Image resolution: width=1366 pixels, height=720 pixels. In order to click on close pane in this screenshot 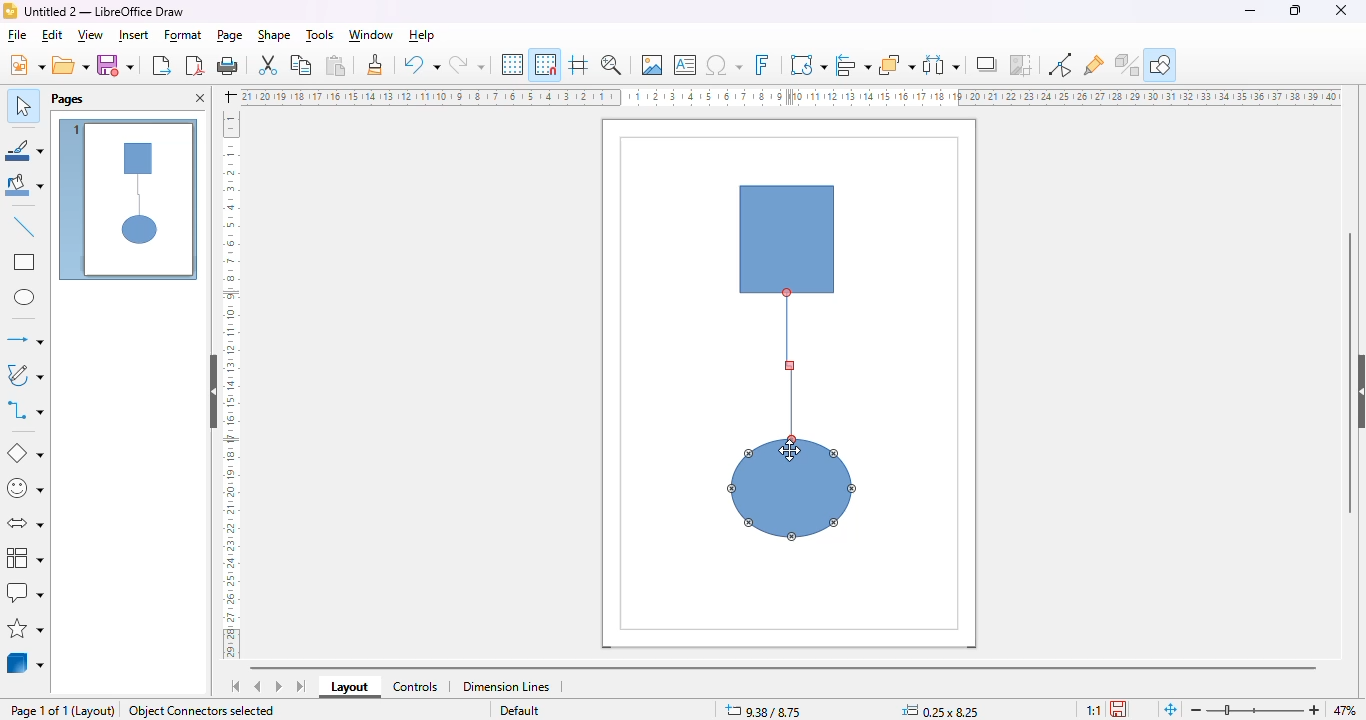, I will do `click(199, 99)`.